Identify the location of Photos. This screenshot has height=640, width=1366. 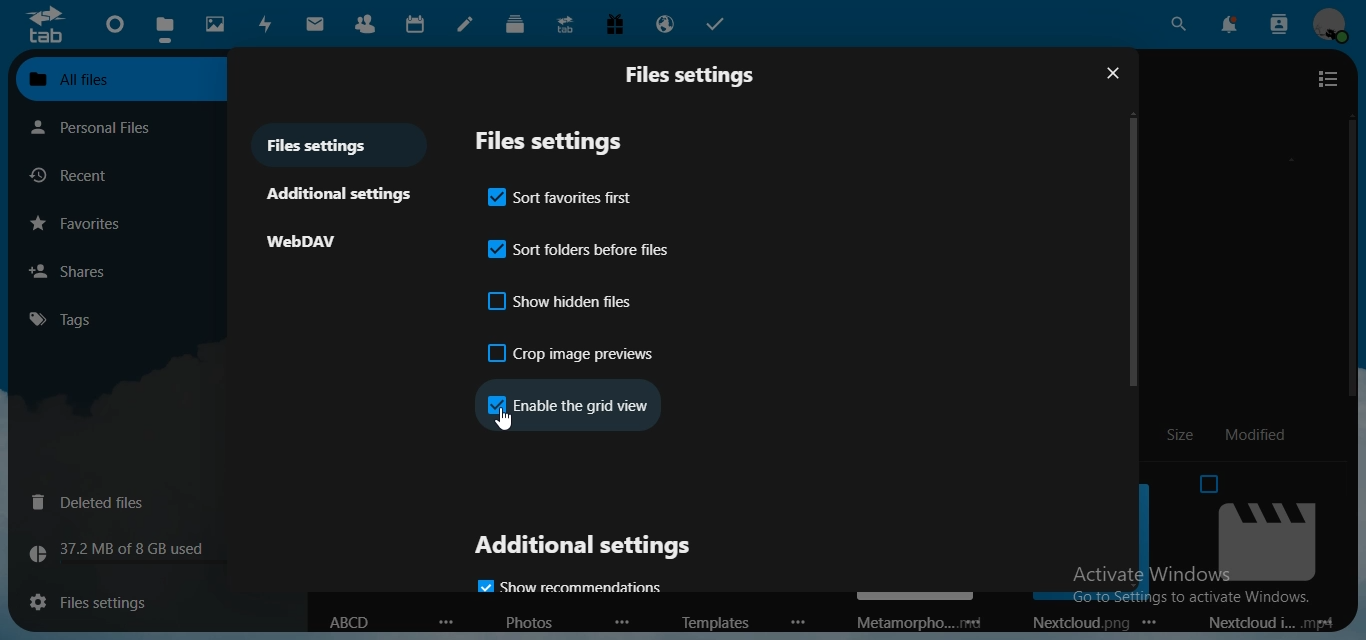
(532, 624).